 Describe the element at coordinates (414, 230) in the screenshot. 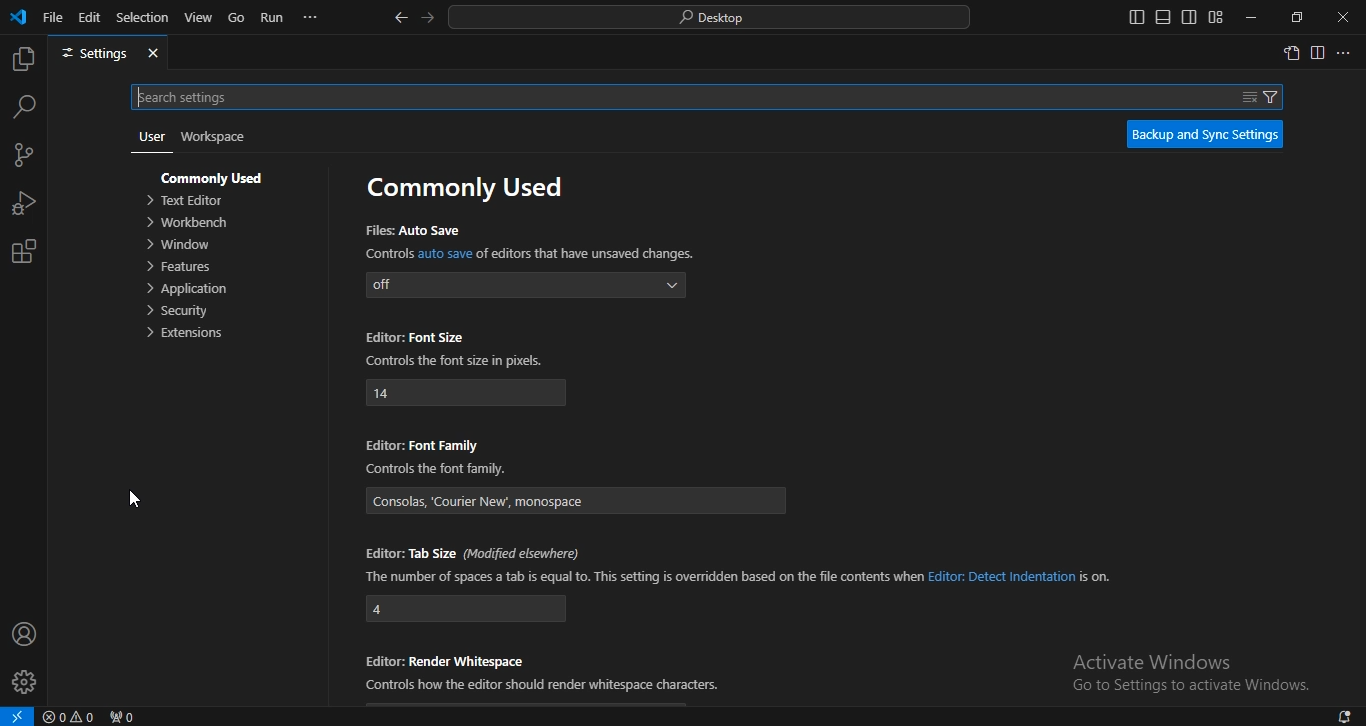

I see `files: auto save` at that location.